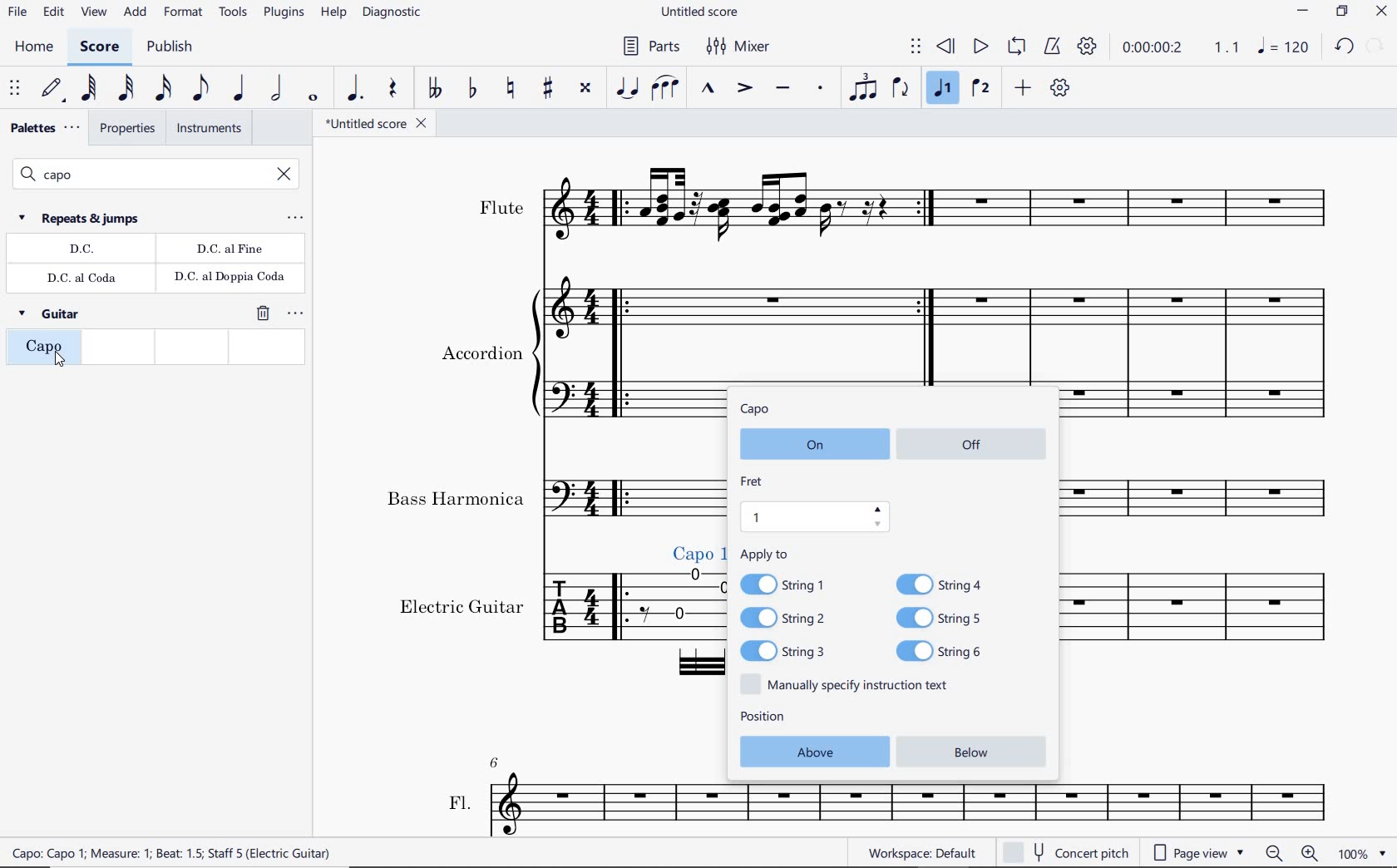  I want to click on restore down, so click(1375, 47).